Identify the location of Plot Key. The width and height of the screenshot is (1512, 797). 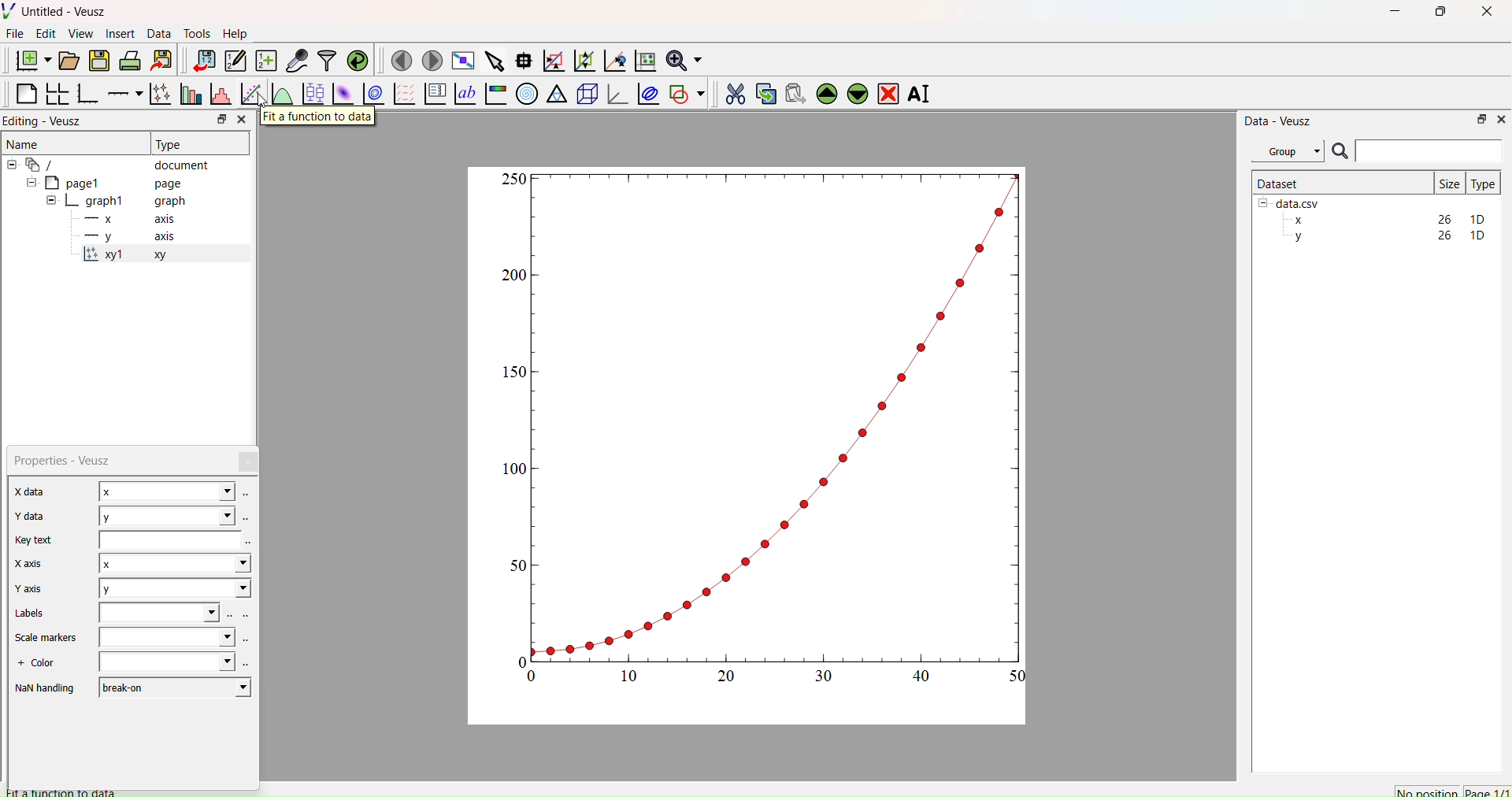
(435, 94).